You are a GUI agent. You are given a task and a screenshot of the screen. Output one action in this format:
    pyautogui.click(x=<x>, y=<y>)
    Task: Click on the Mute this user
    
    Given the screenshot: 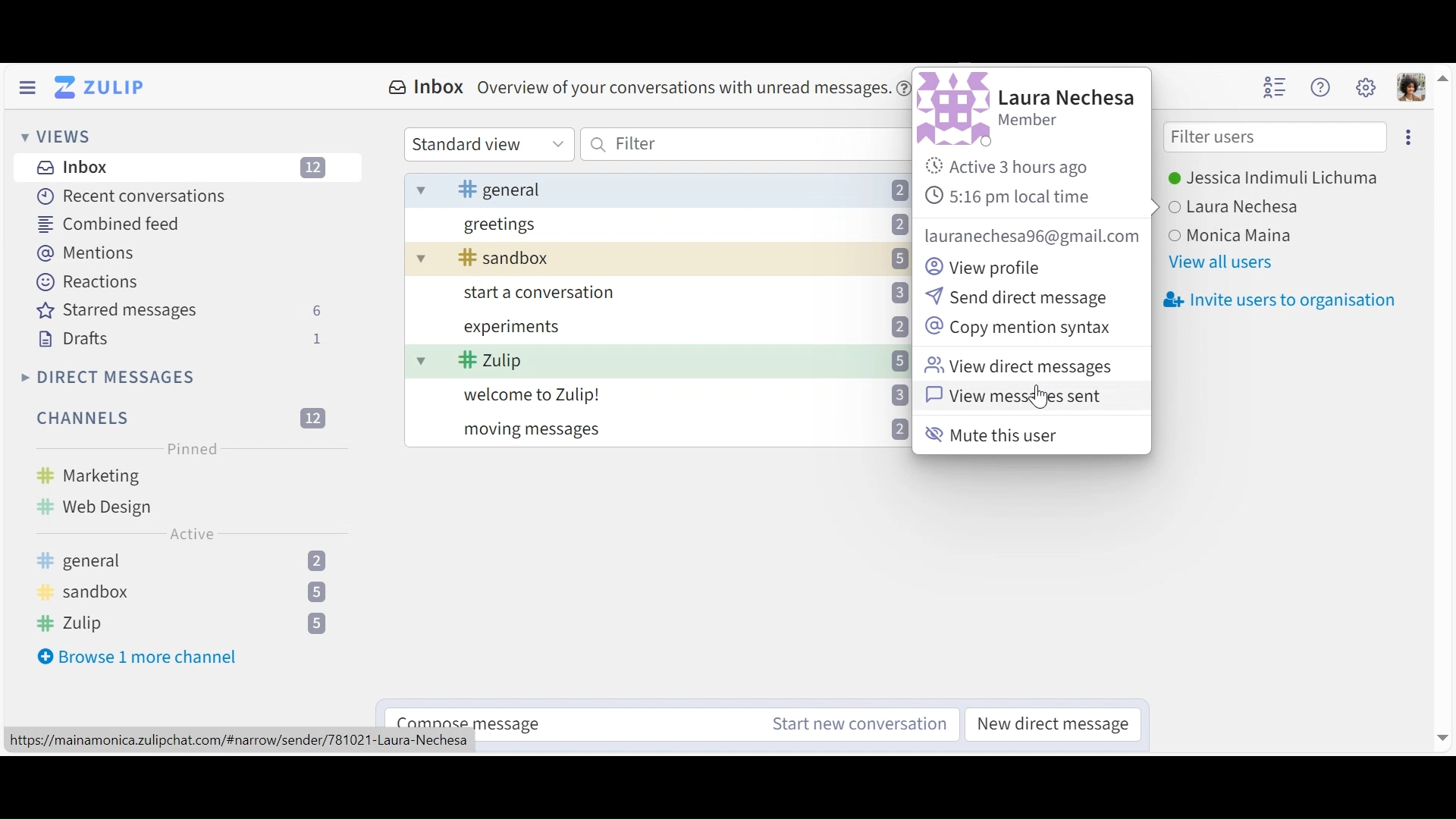 What is the action you would take?
    pyautogui.click(x=994, y=434)
    